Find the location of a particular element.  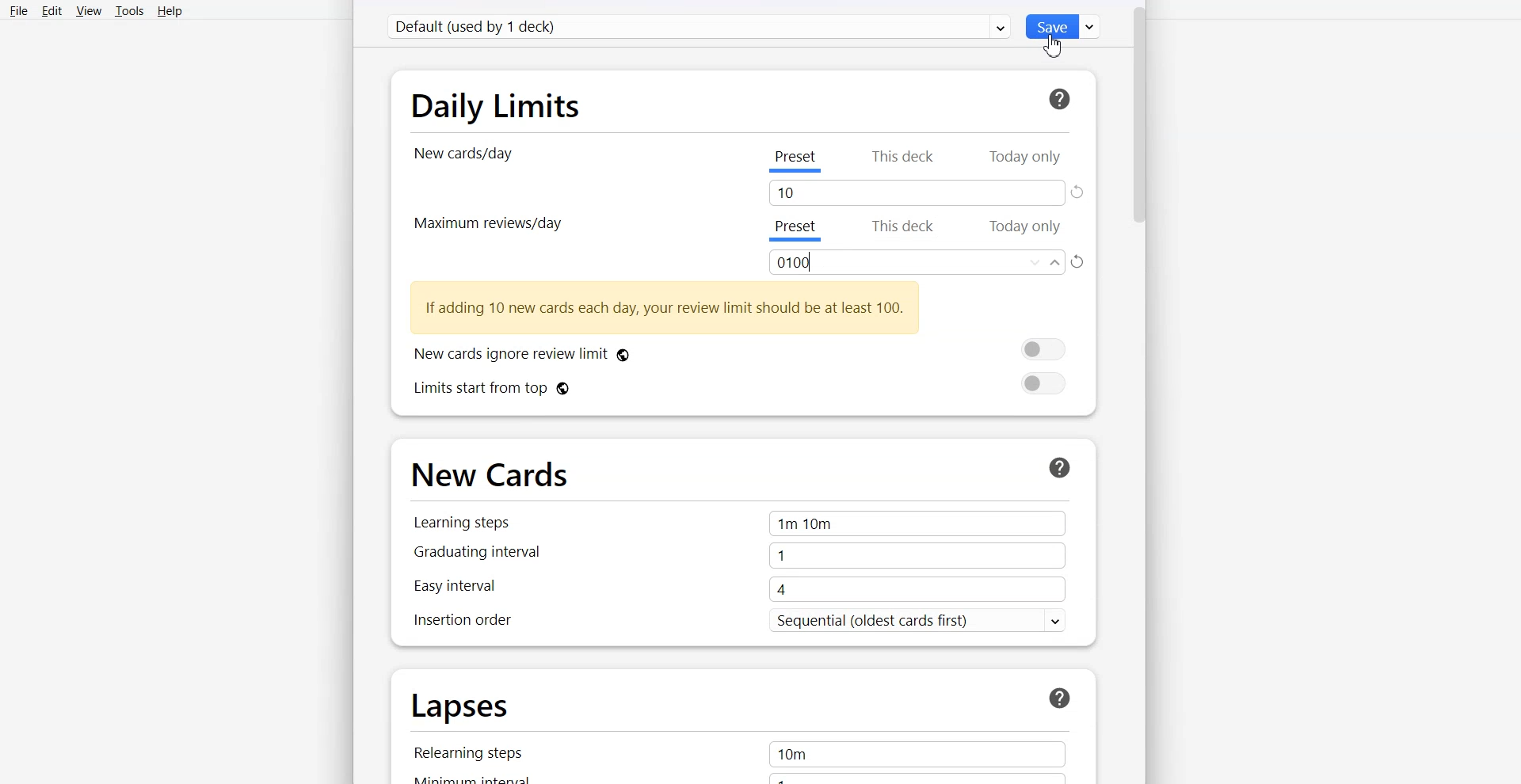

Edit is located at coordinates (50, 11).